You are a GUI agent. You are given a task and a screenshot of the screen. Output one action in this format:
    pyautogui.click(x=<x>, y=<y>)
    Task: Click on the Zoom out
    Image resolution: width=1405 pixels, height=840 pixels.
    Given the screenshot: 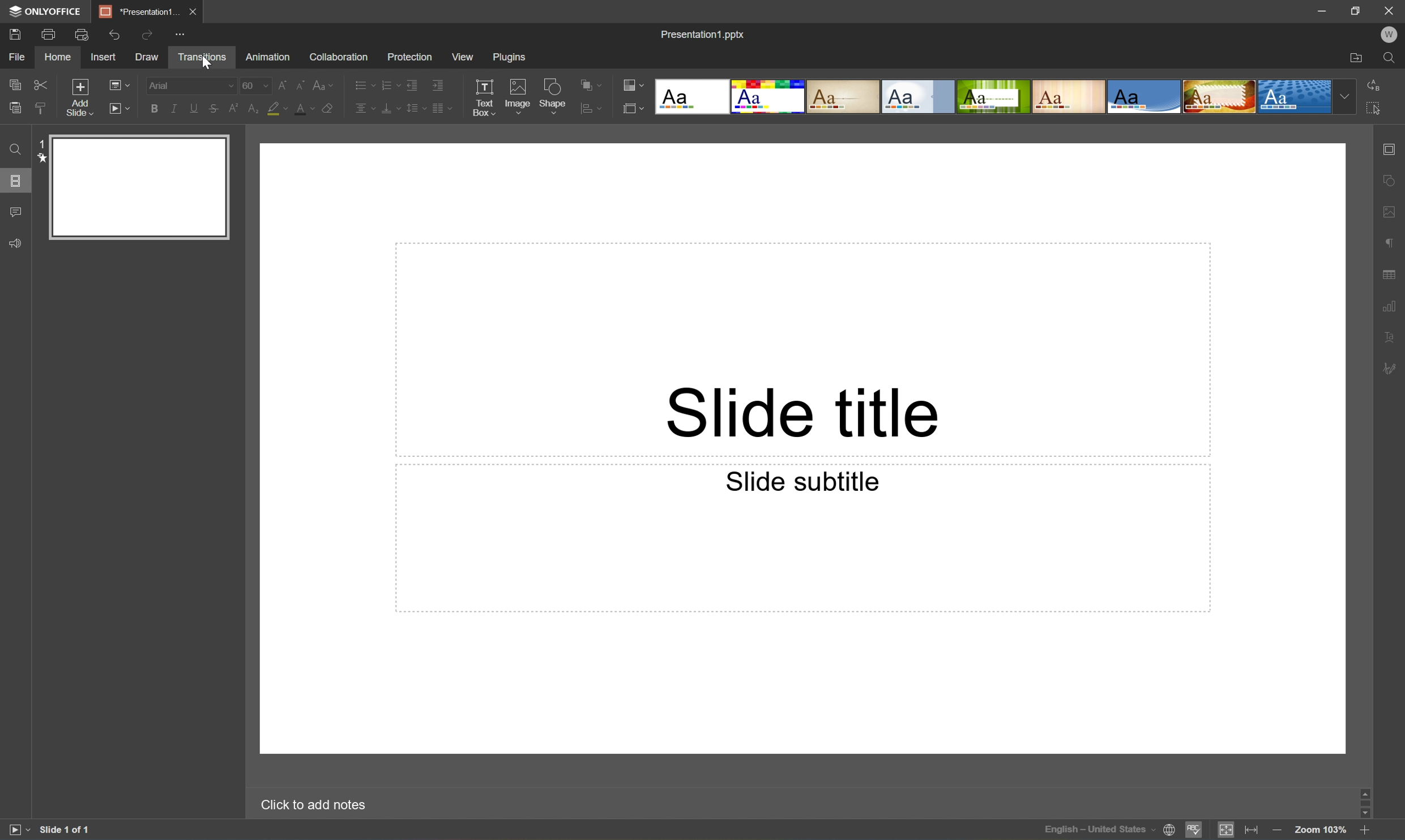 What is the action you would take?
    pyautogui.click(x=1282, y=834)
    